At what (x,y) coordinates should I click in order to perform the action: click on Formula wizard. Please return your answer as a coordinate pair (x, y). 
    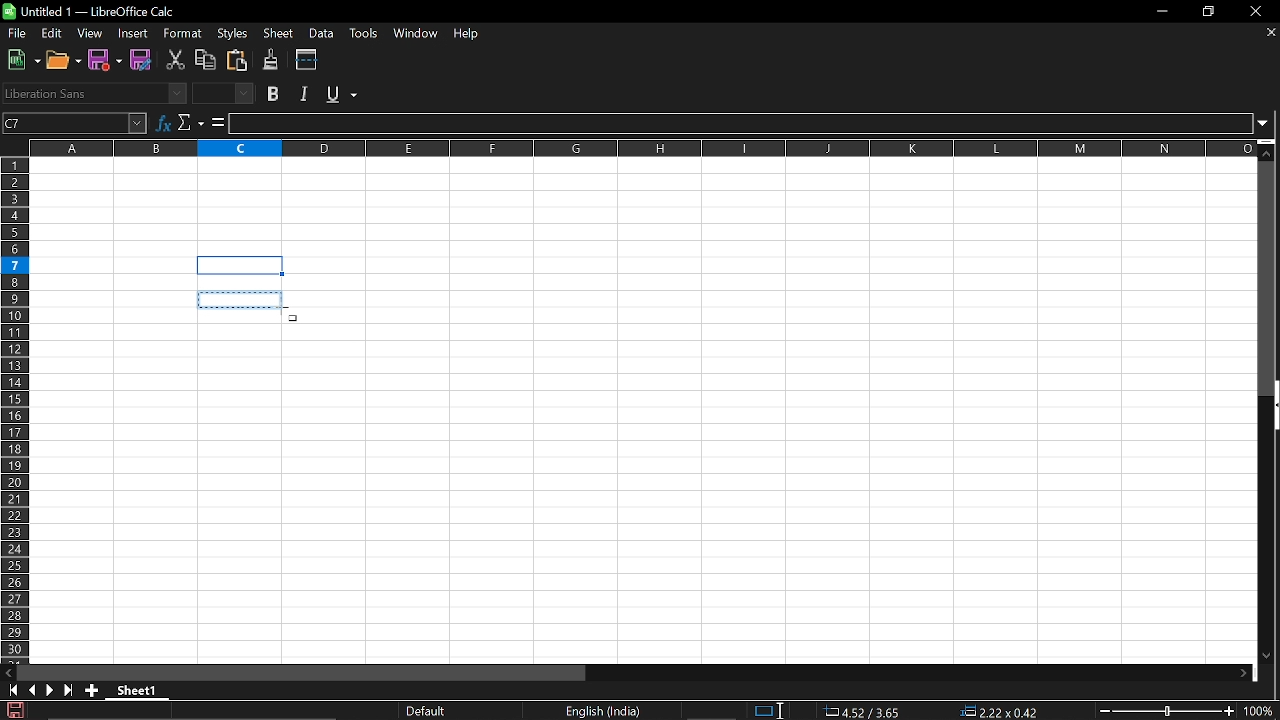
    Looking at the image, I should click on (163, 121).